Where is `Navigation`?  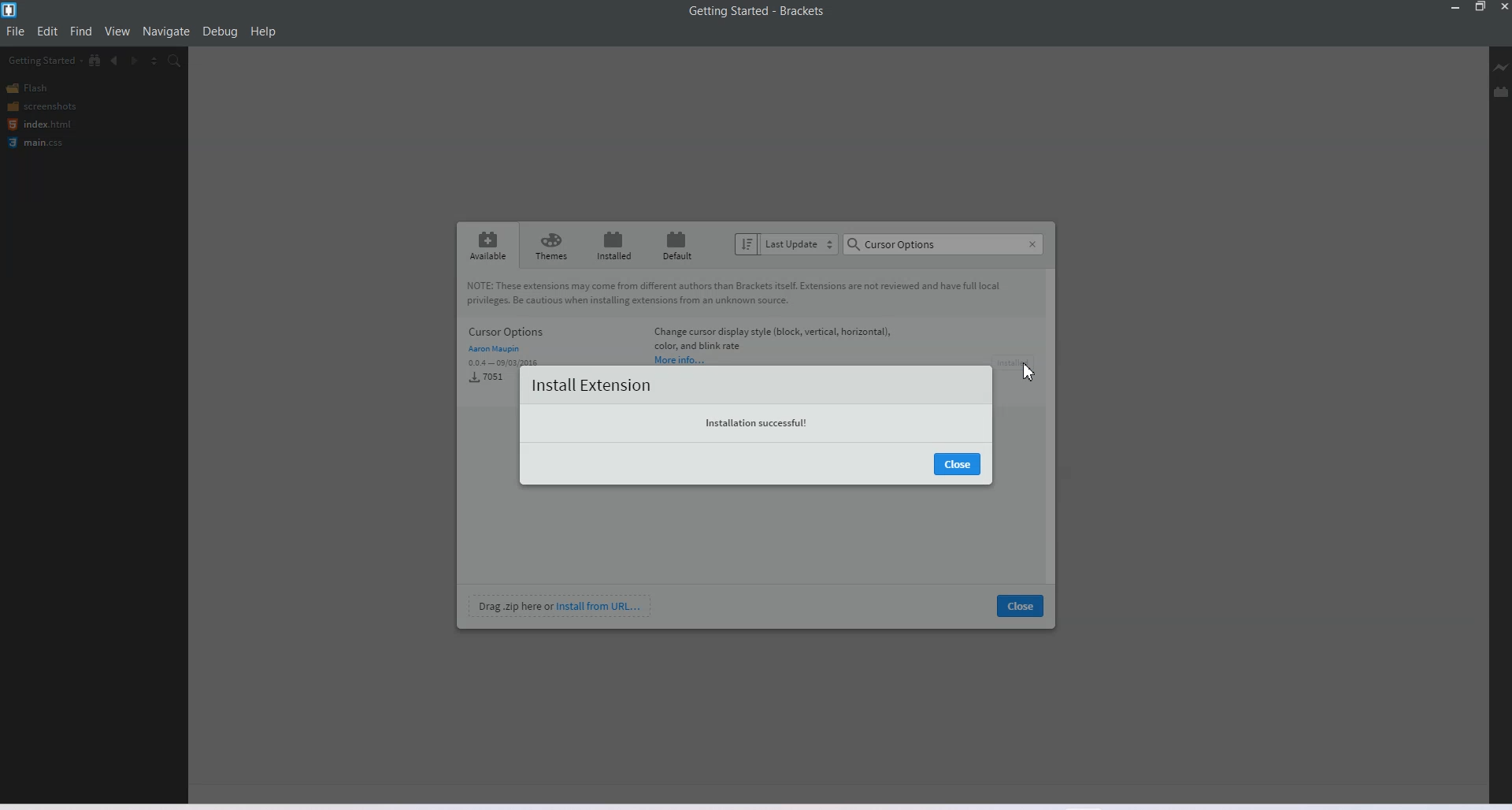 Navigation is located at coordinates (167, 31).